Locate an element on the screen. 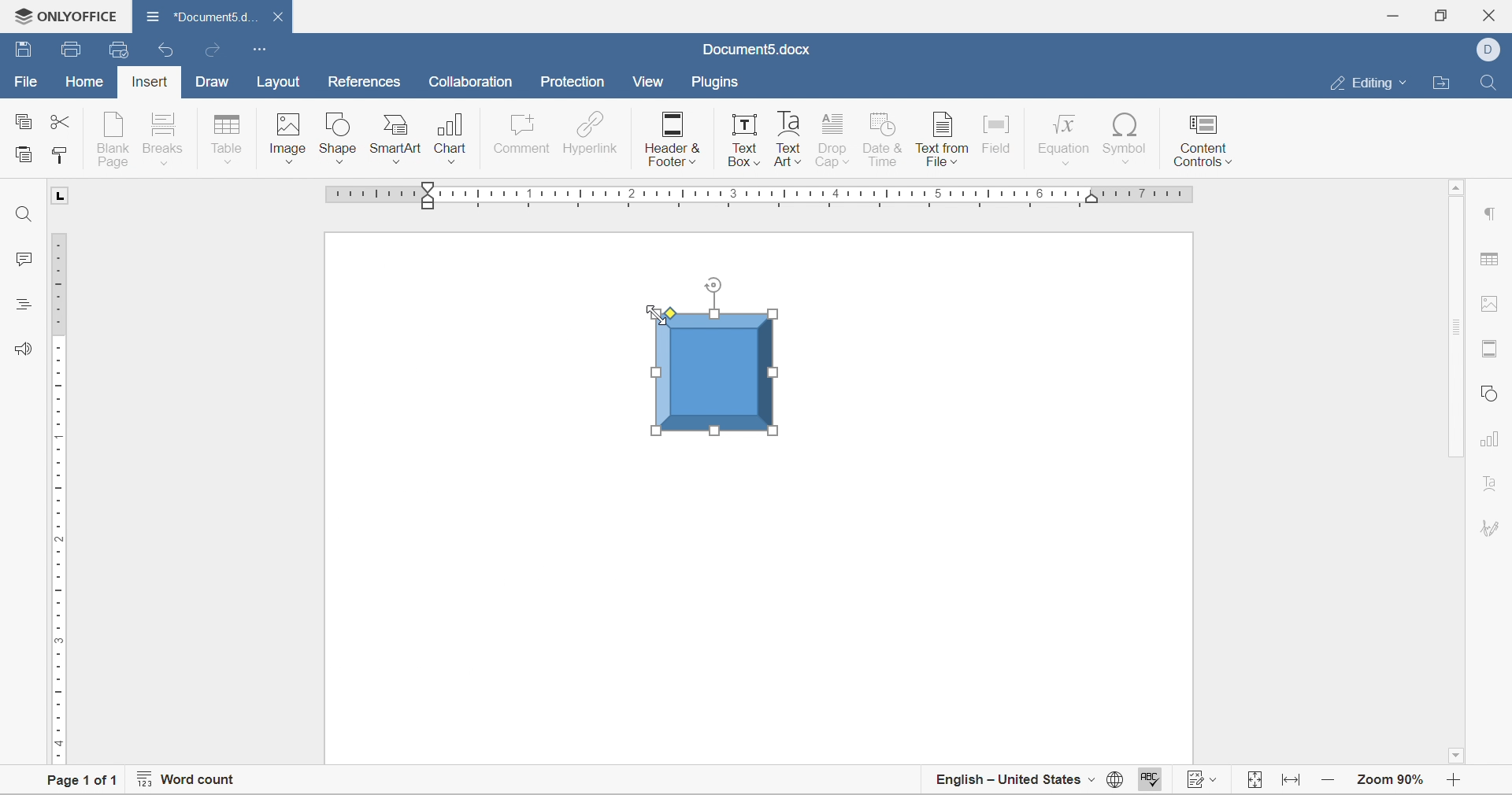 Image resolution: width=1512 pixels, height=795 pixels. zoom in is located at coordinates (1453, 782).